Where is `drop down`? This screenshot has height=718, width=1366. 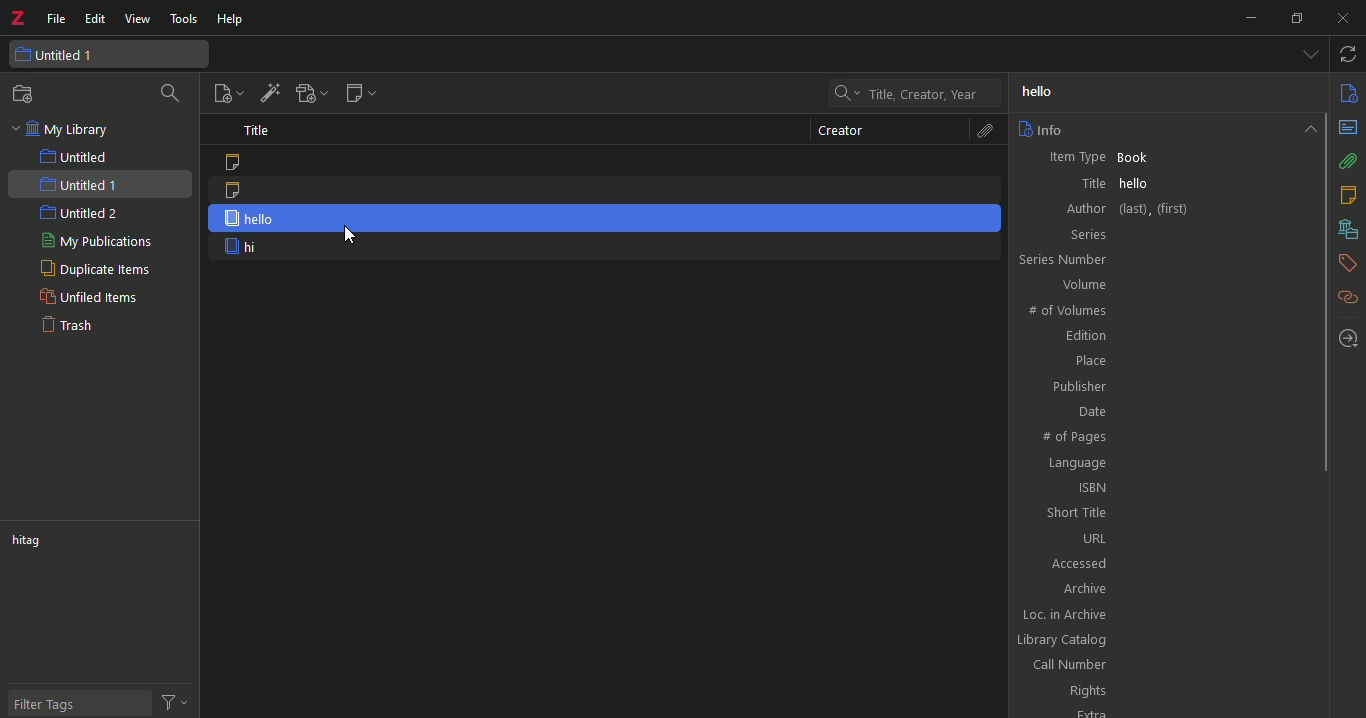
drop down is located at coordinates (840, 93).